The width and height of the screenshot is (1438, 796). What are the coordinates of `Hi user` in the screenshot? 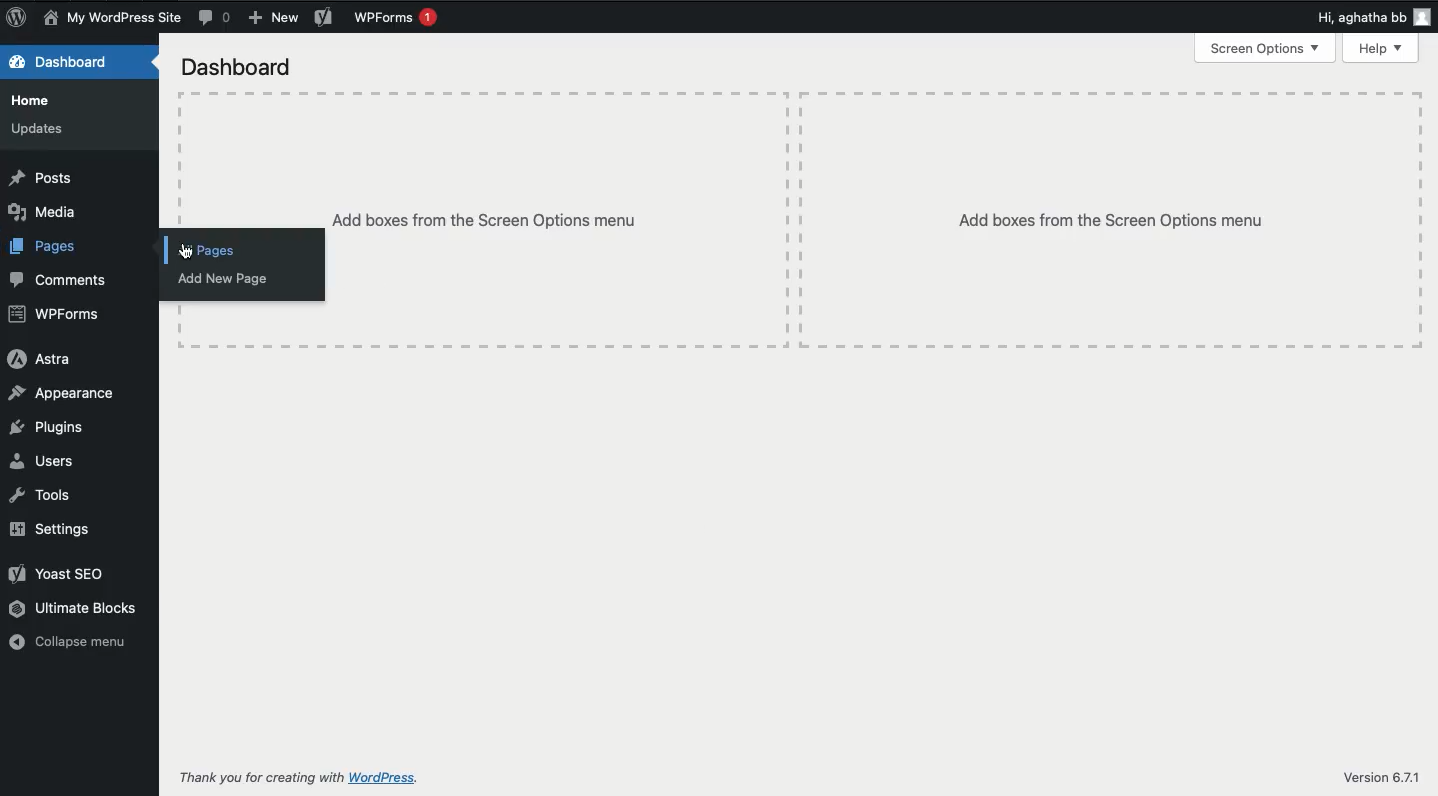 It's located at (1374, 18).